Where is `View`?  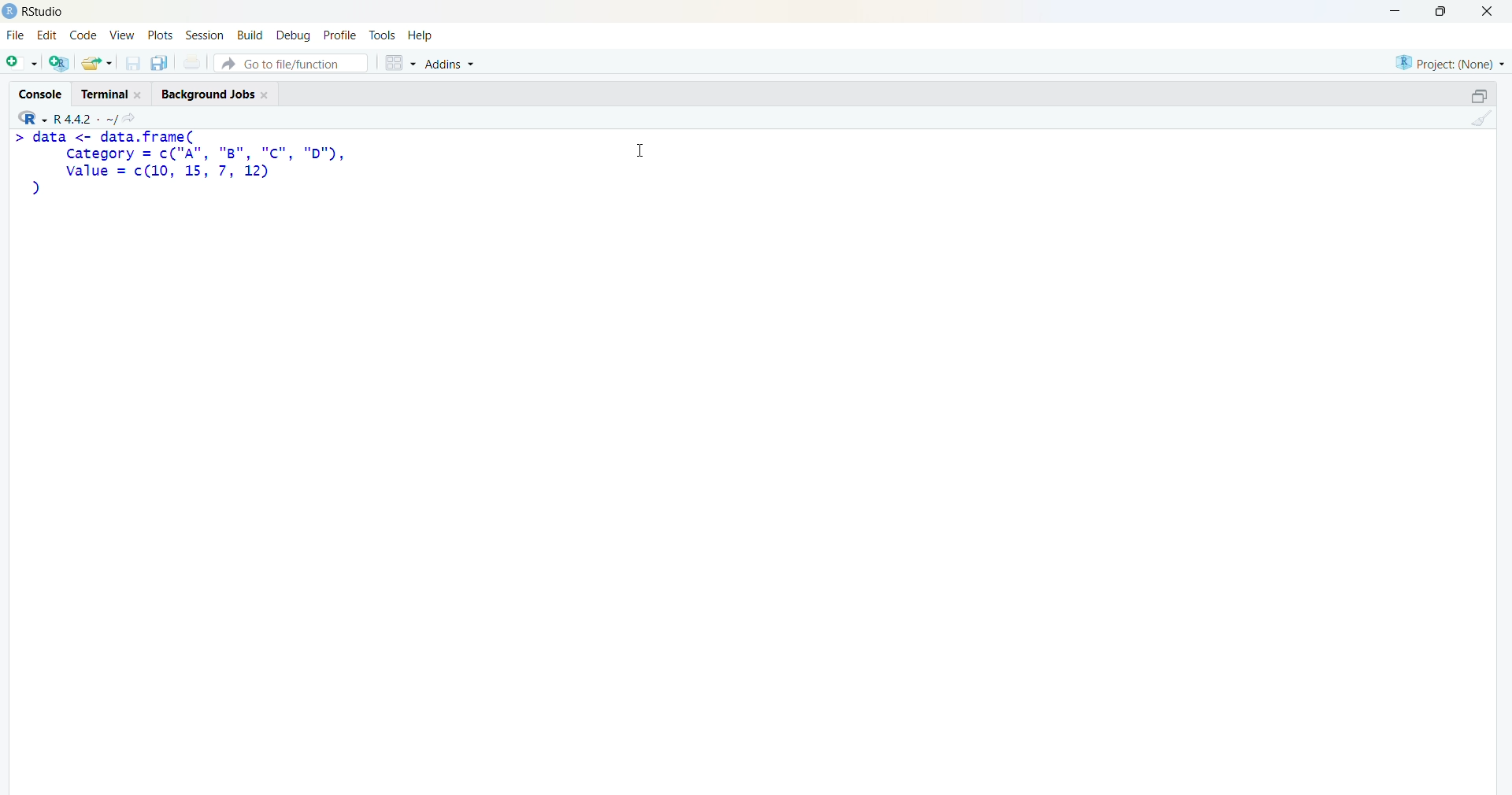 View is located at coordinates (123, 35).